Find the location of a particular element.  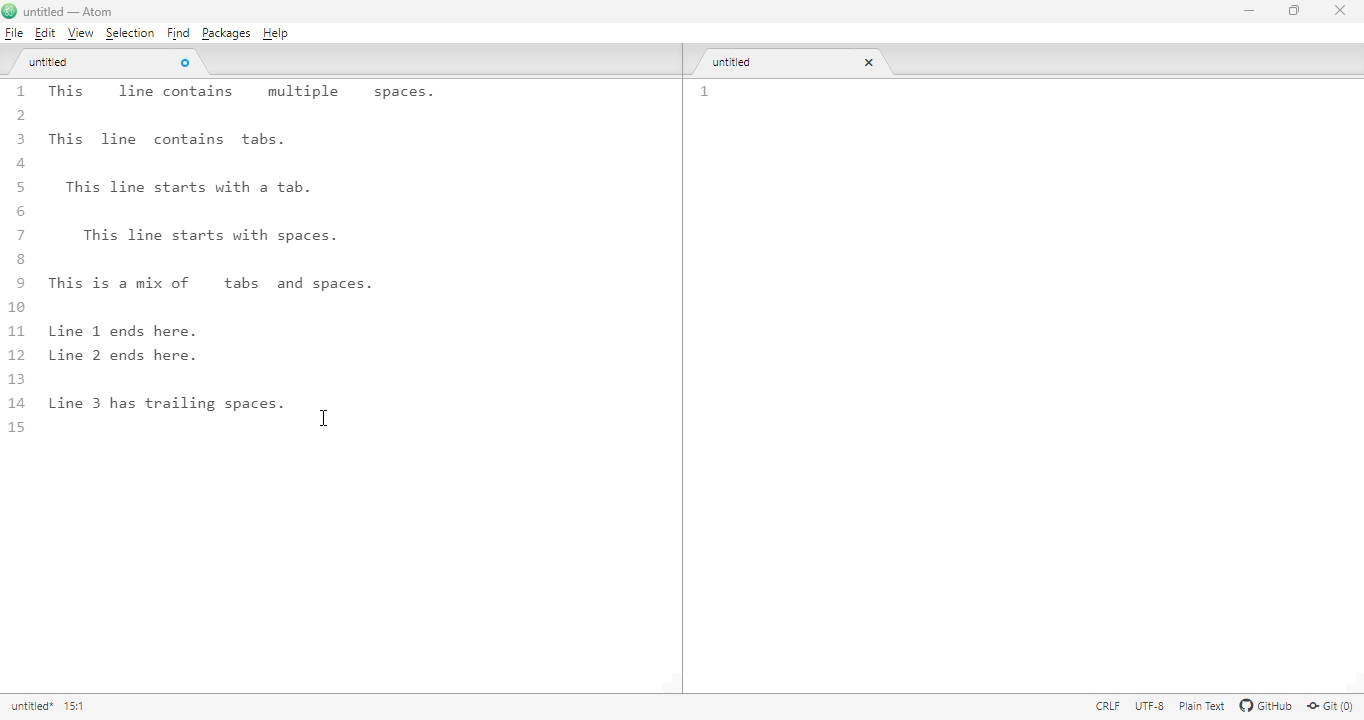

packages is located at coordinates (225, 34).